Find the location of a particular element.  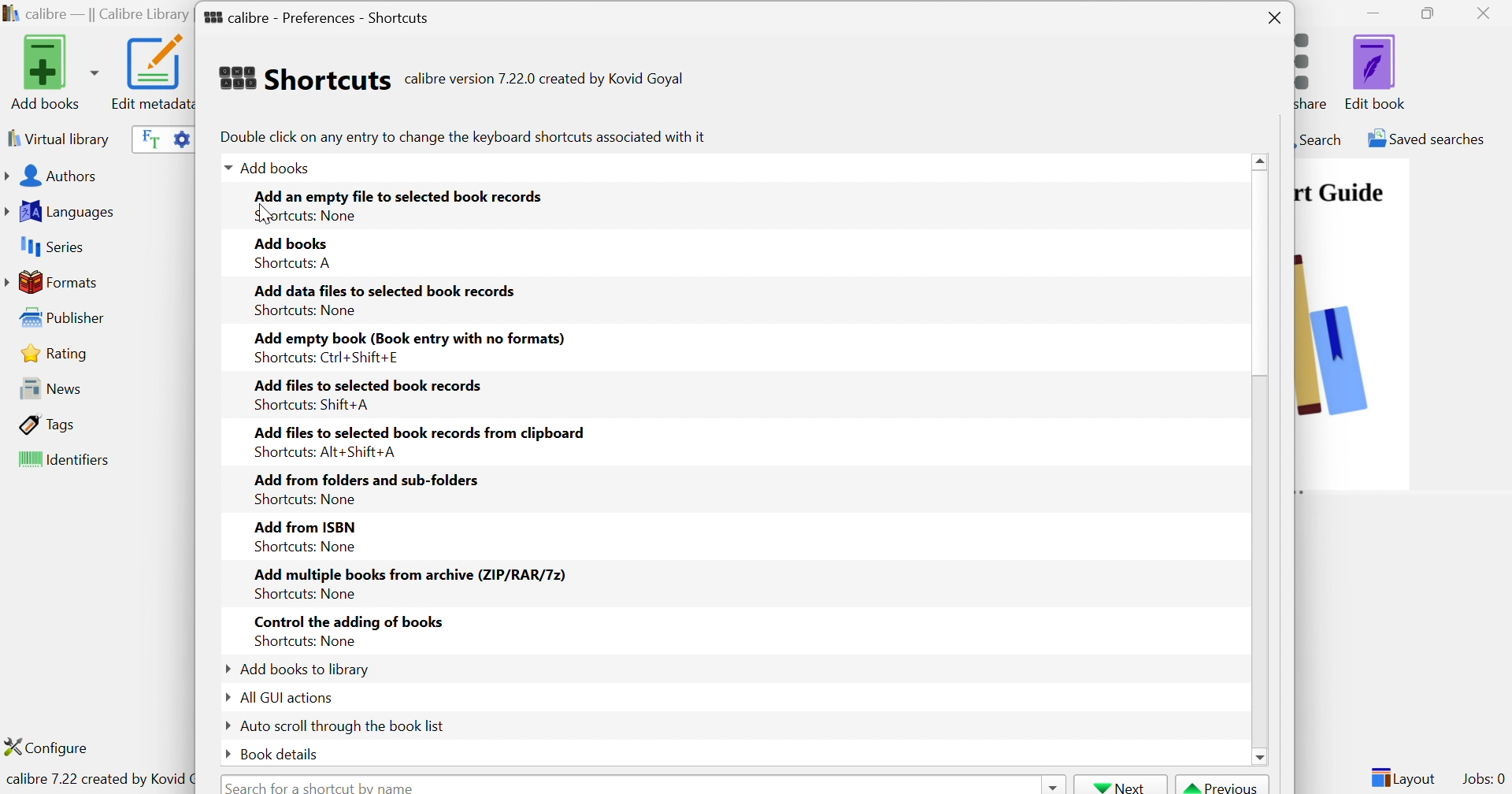

Next is located at coordinates (1121, 785).